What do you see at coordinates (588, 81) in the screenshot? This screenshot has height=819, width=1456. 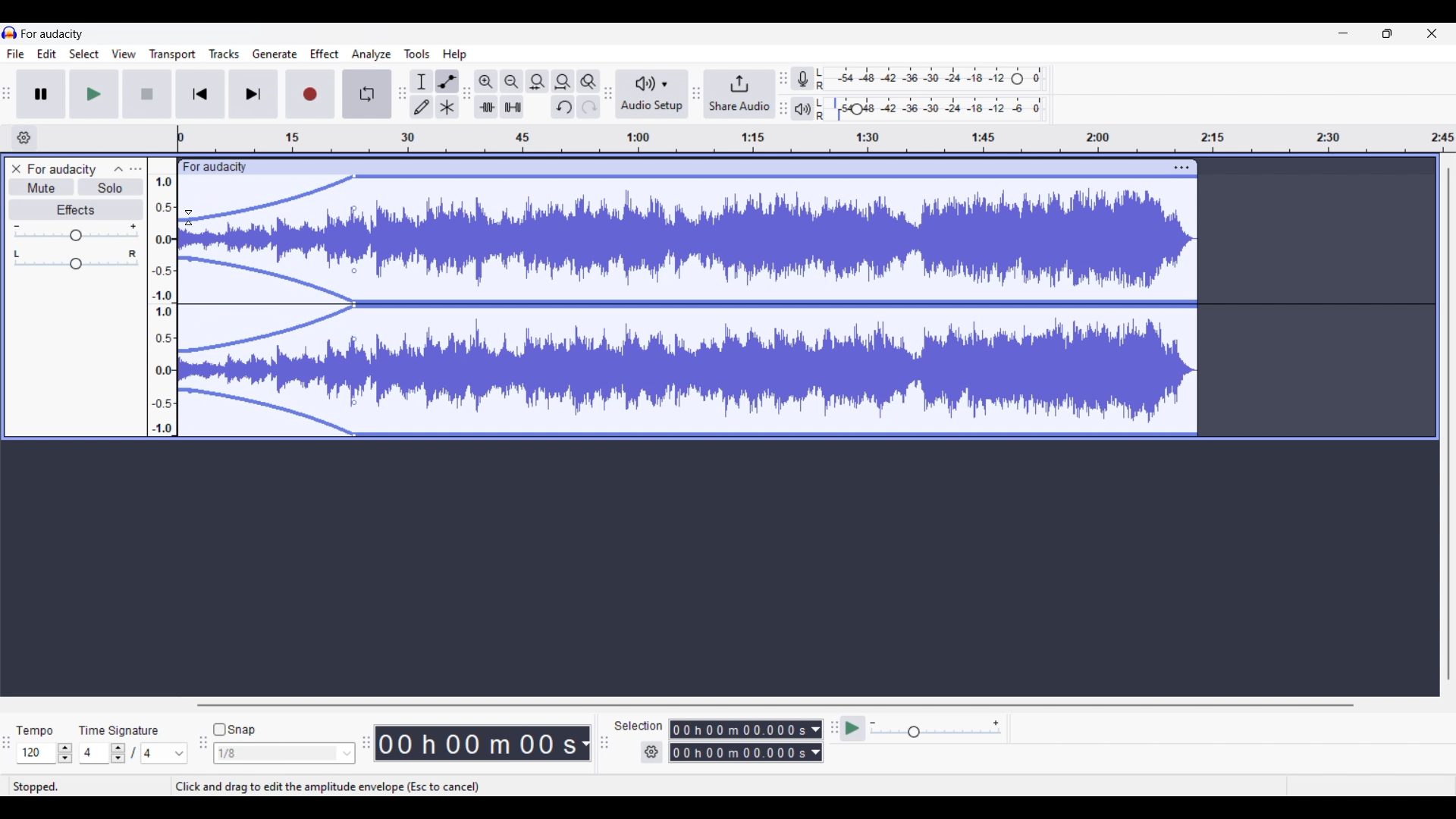 I see `Zoom toggle` at bounding box center [588, 81].